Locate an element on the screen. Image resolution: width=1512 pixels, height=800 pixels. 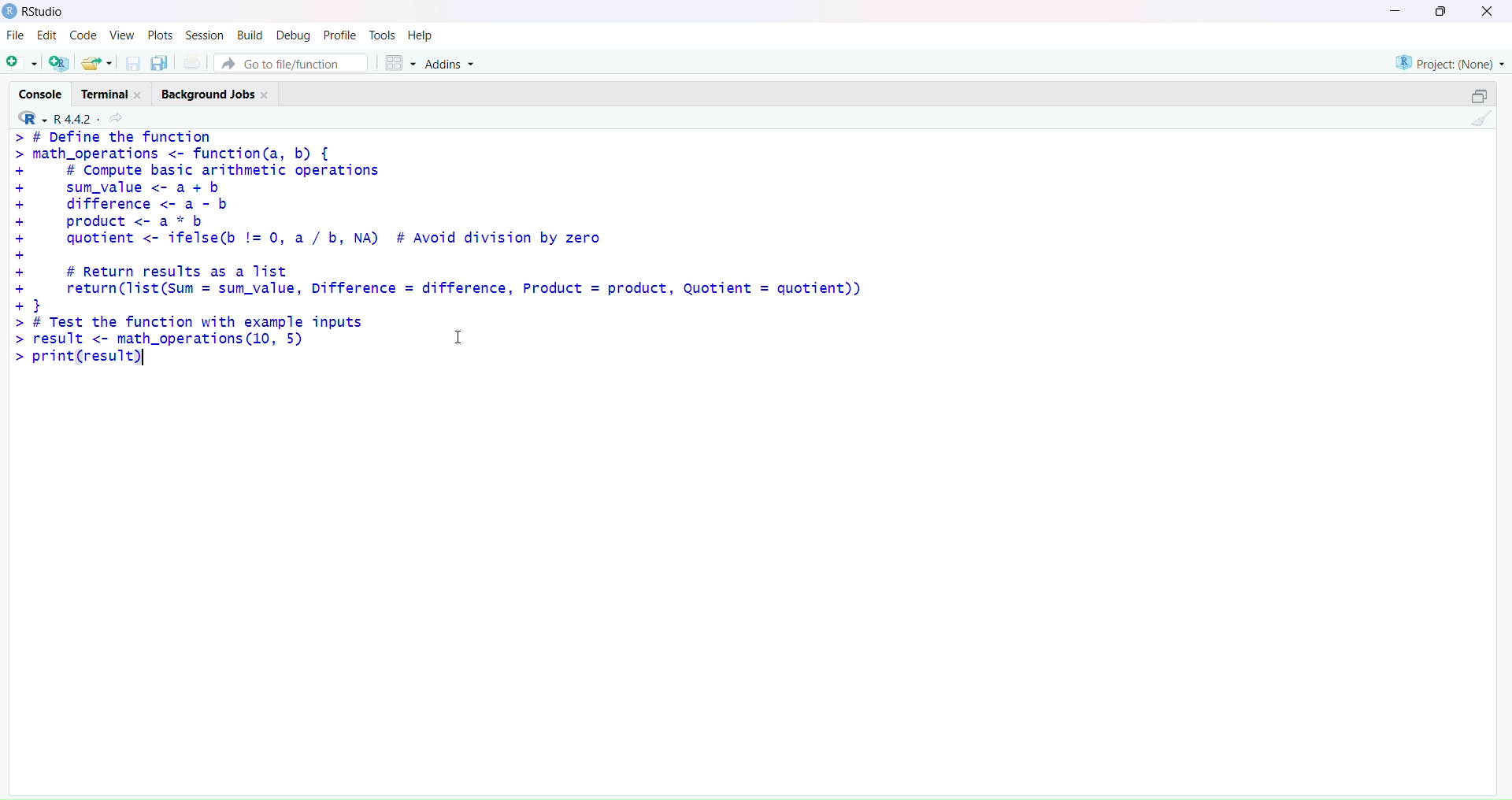
R 4.4.2 is located at coordinates (72, 118).